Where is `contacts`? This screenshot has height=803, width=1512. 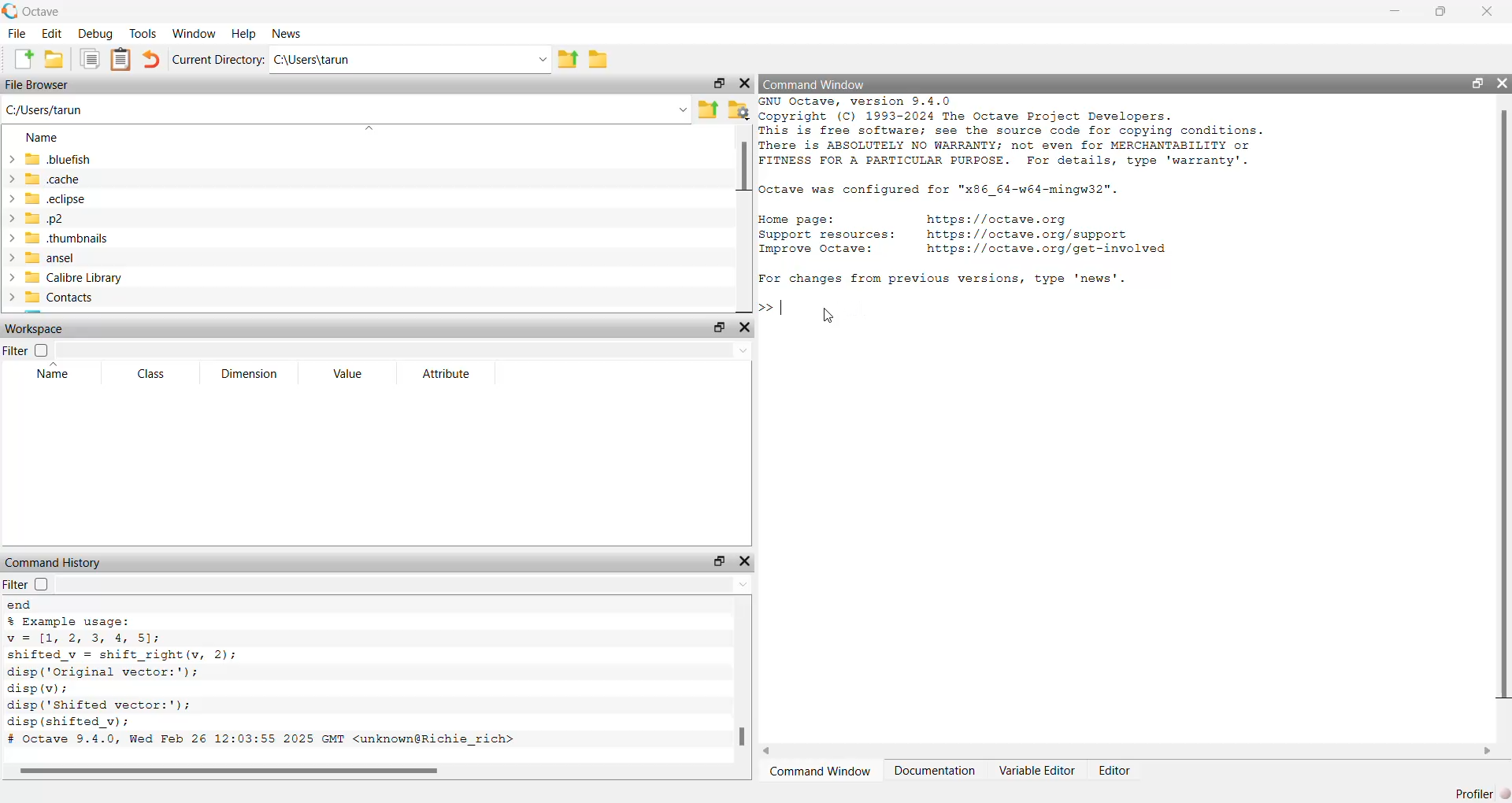 contacts is located at coordinates (117, 299).